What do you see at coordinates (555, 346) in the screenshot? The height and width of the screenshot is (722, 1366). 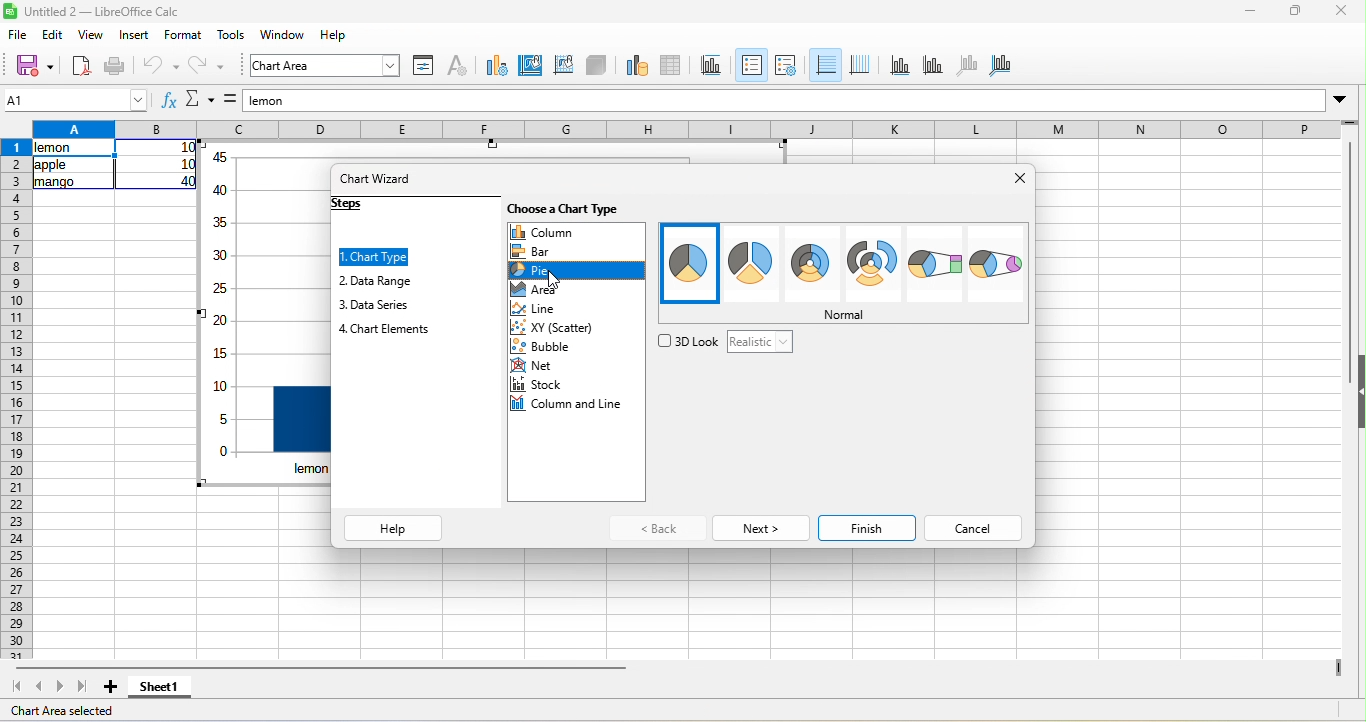 I see `bubble` at bounding box center [555, 346].